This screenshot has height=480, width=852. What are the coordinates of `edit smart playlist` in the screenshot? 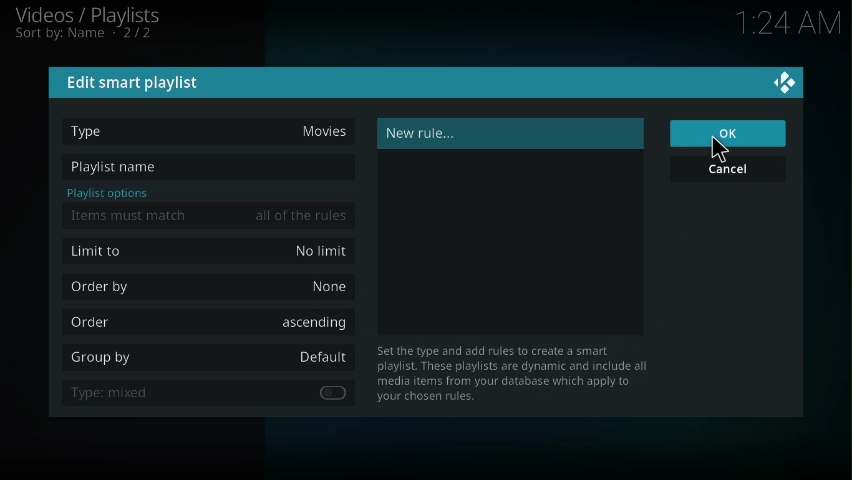 It's located at (142, 83).